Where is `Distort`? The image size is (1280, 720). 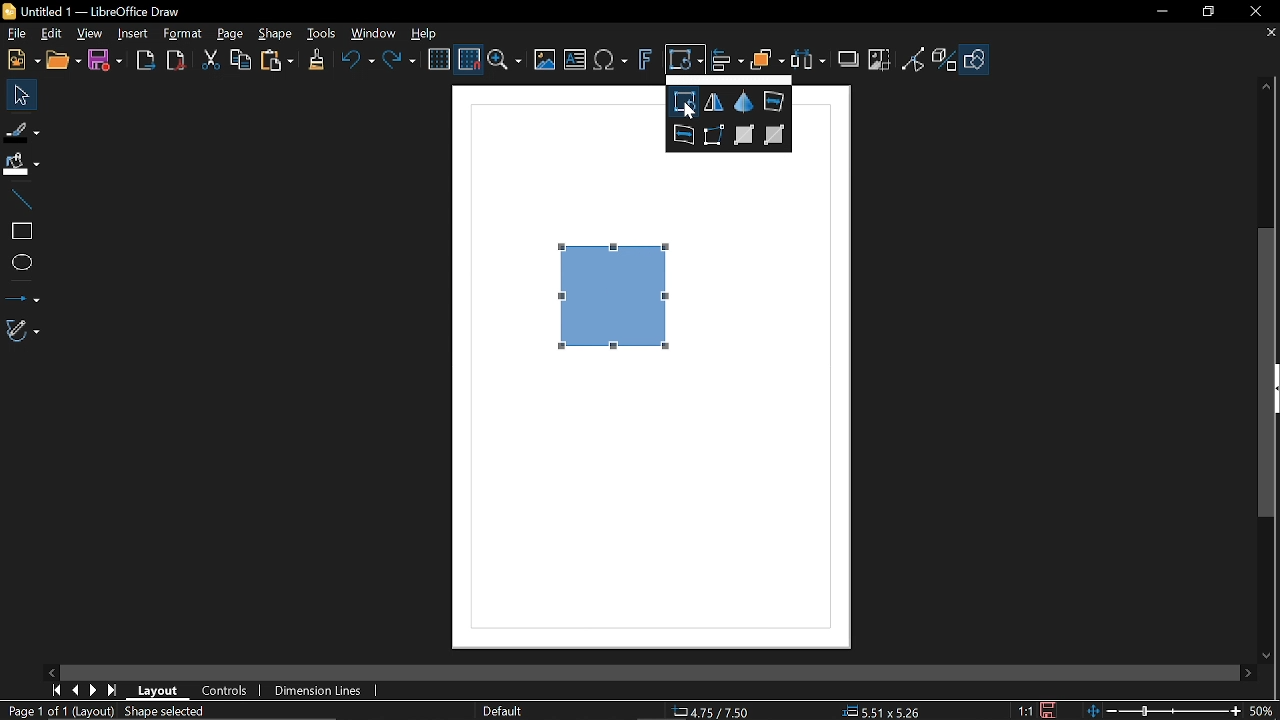
Distort is located at coordinates (715, 134).